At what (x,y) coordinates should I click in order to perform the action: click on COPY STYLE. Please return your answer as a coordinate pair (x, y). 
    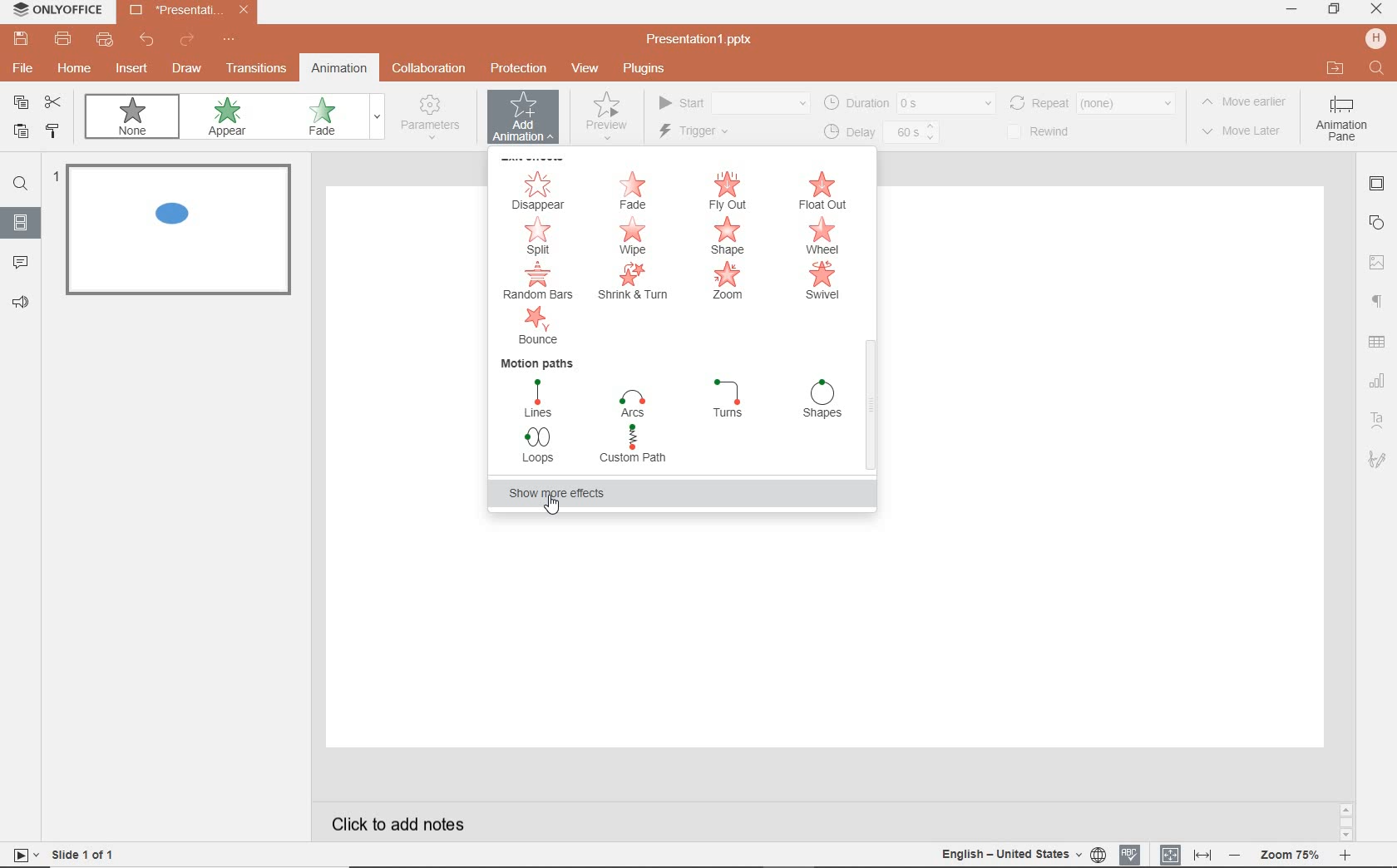
    Looking at the image, I should click on (53, 131).